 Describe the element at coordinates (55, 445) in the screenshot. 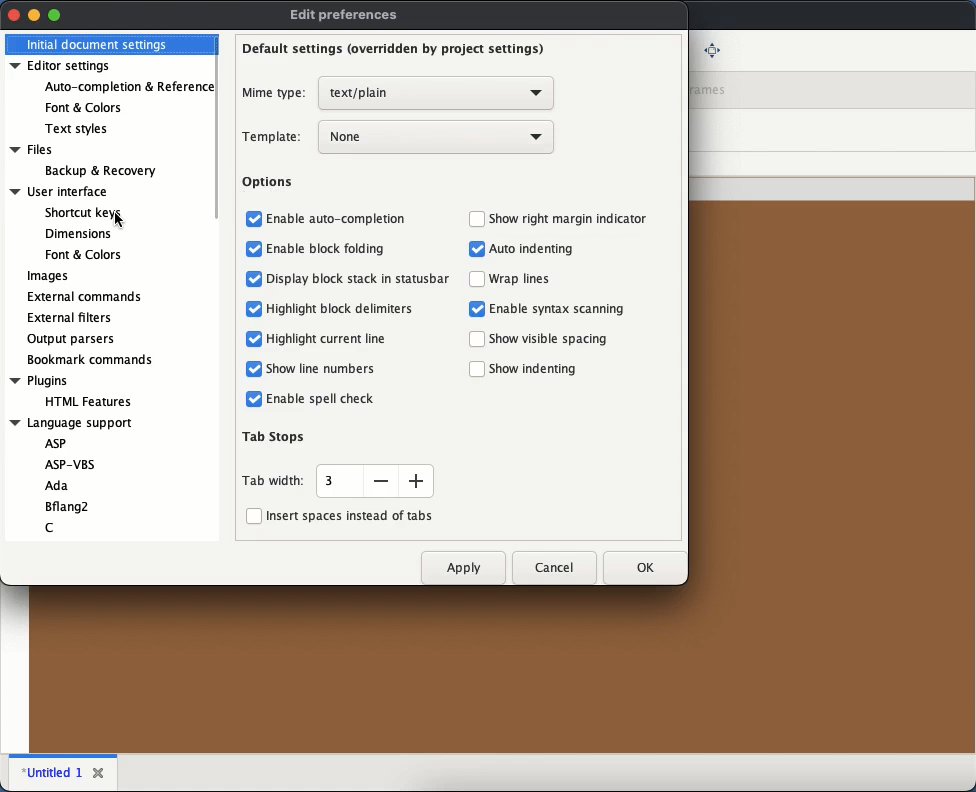

I see `ASP` at that location.